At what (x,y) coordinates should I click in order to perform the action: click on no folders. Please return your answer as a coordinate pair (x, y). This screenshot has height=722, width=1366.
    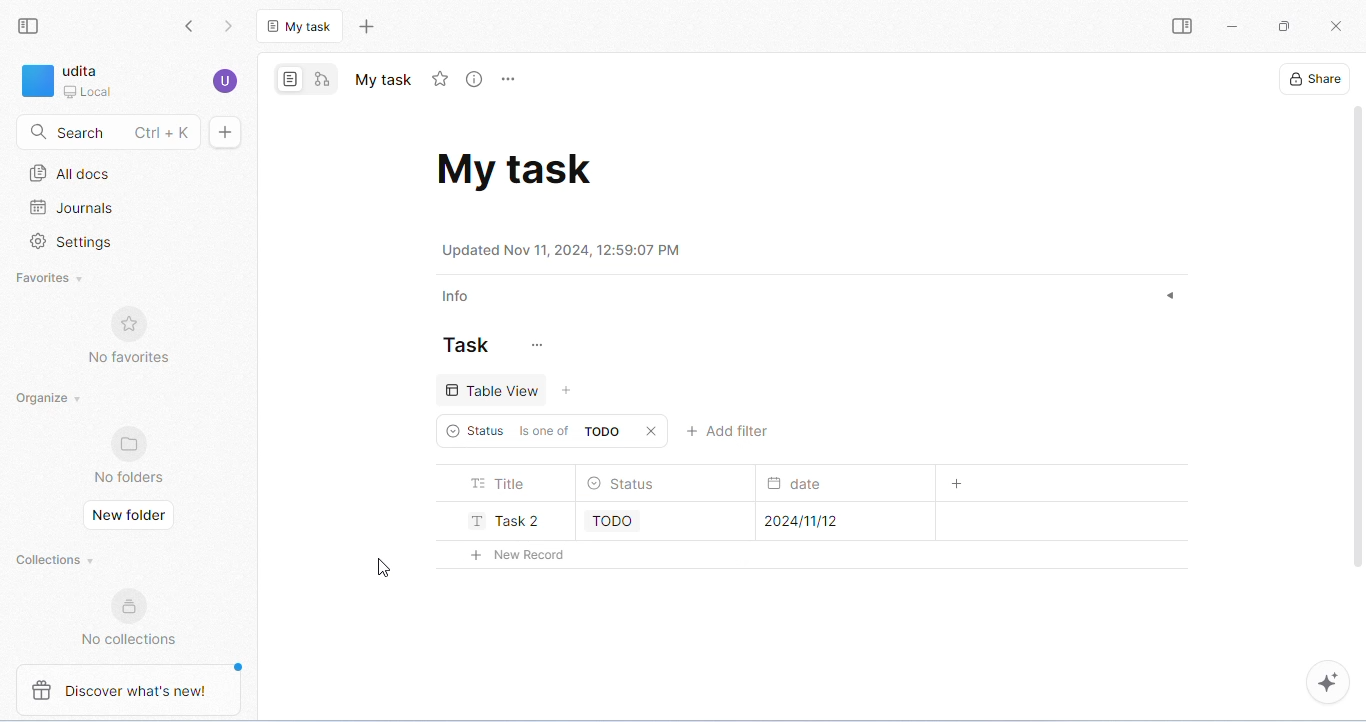
    Looking at the image, I should click on (130, 454).